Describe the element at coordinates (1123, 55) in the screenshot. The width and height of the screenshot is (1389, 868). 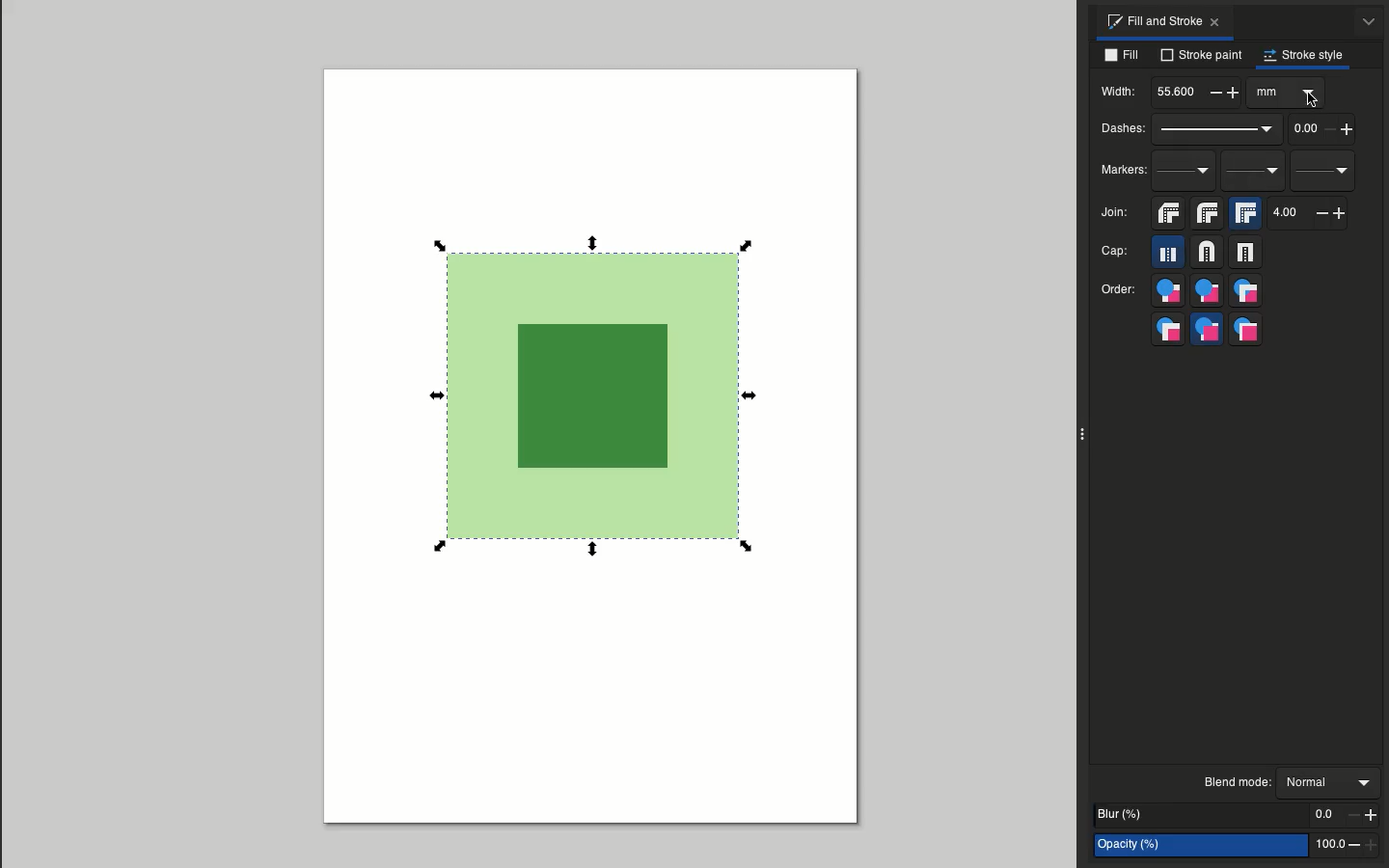
I see `Fill` at that location.